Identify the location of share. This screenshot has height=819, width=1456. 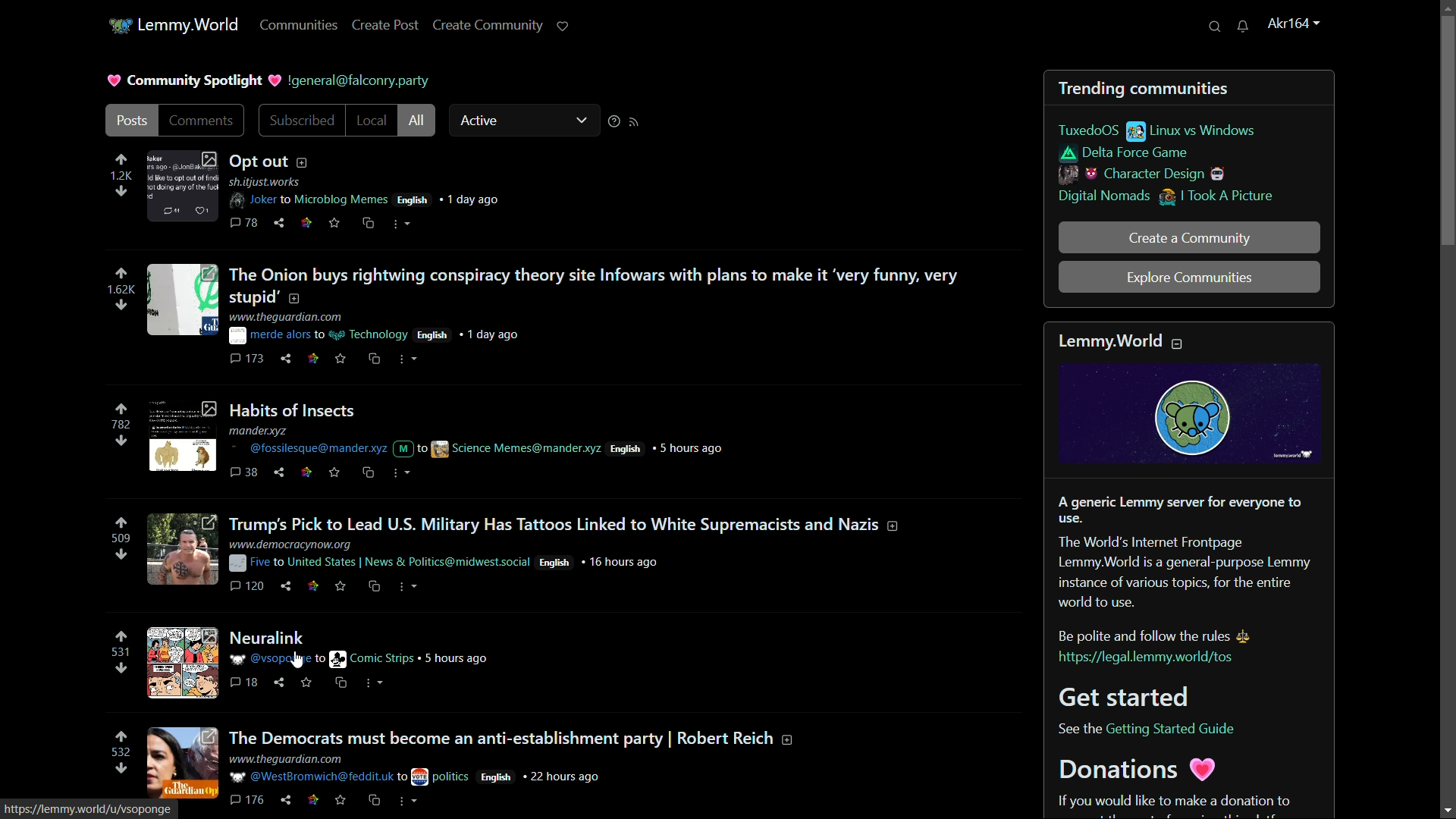
(279, 472).